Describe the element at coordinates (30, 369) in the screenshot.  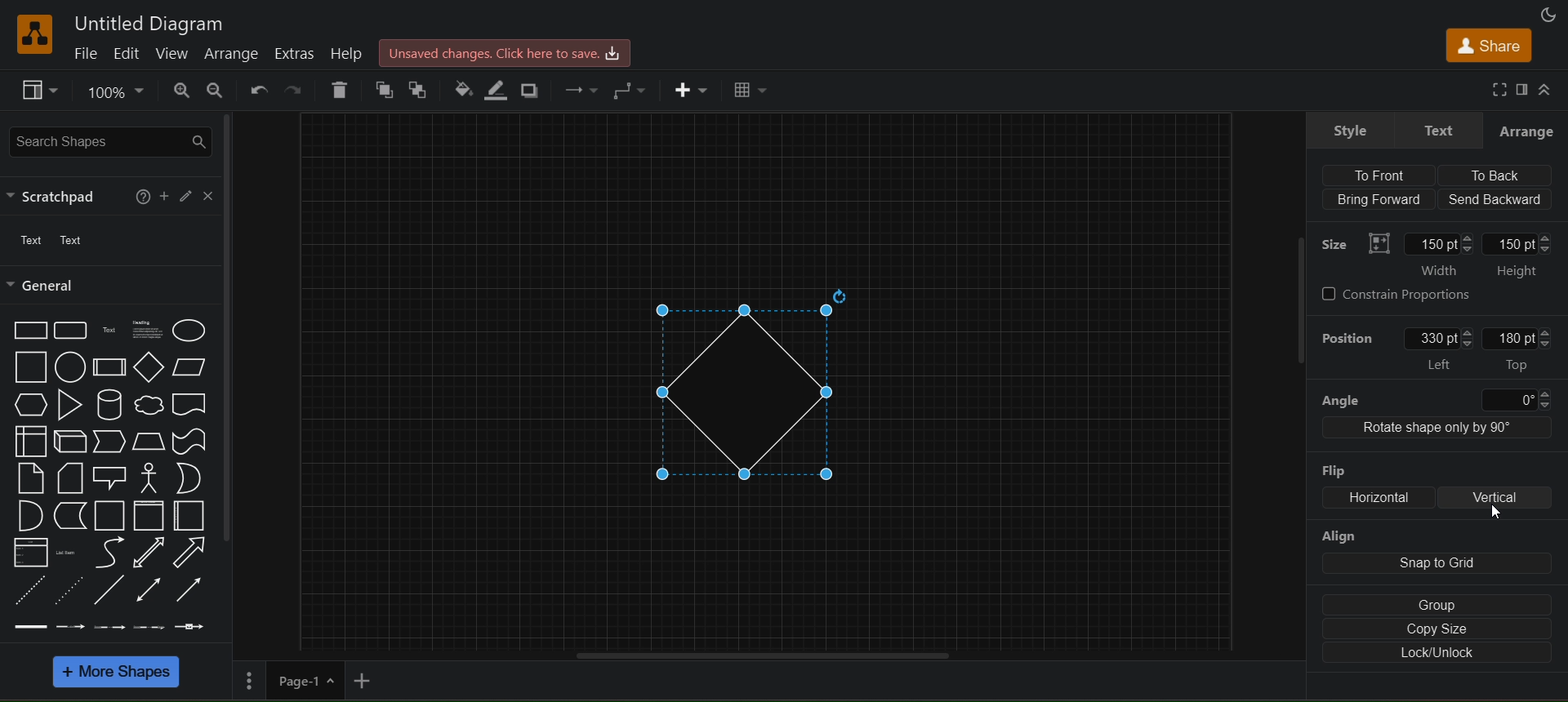
I see `square` at that location.